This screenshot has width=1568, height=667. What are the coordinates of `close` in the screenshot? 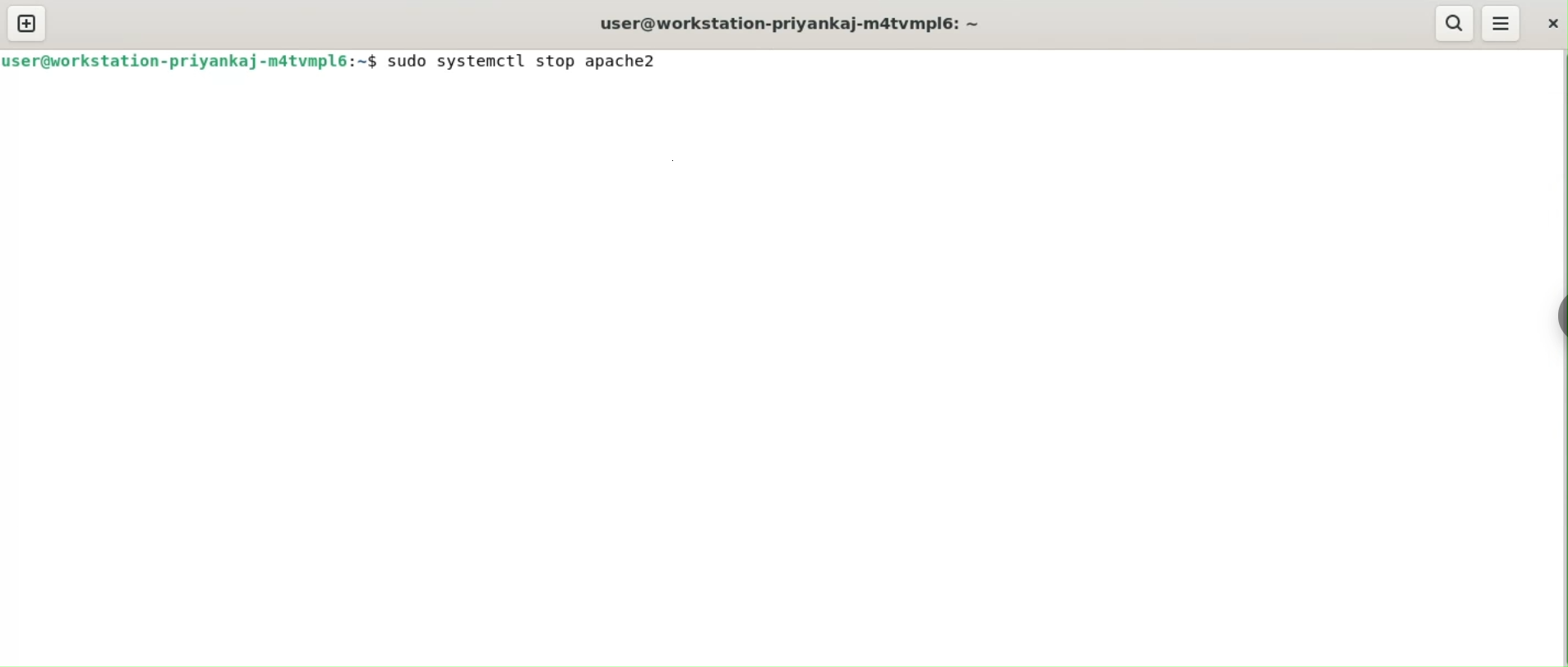 It's located at (1551, 24).